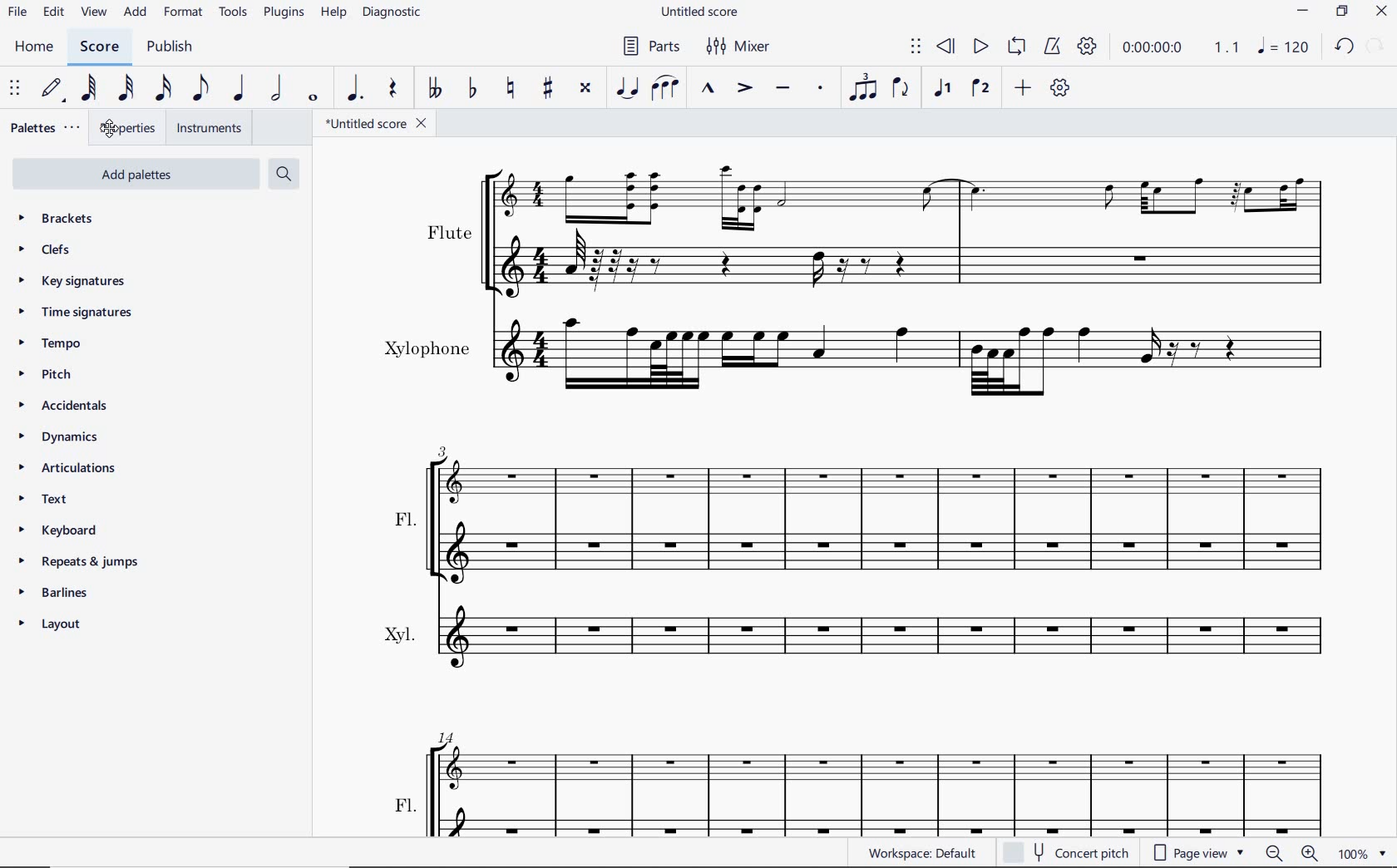 This screenshot has height=868, width=1397. Describe the element at coordinates (876, 229) in the screenshot. I see `flute` at that location.